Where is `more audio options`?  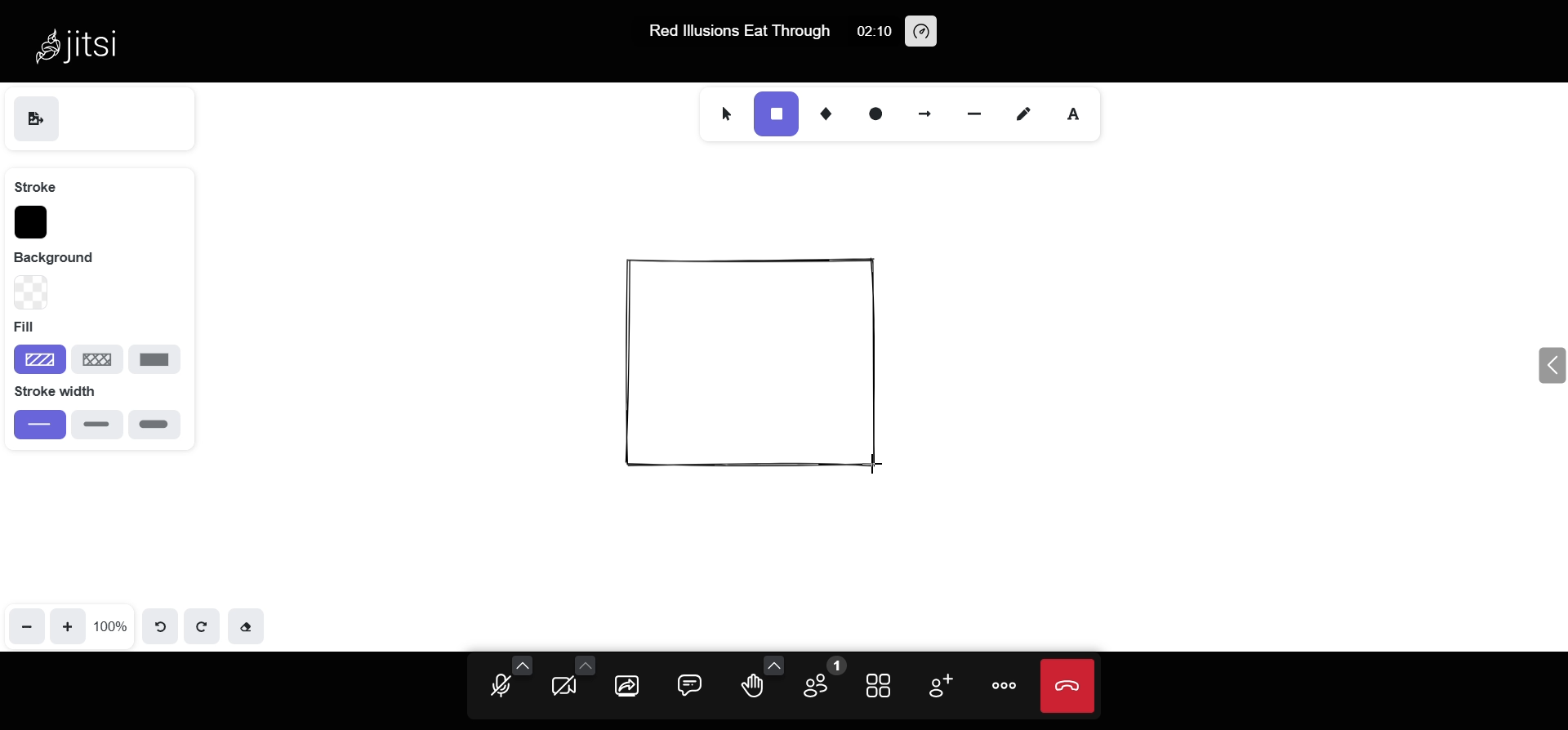
more audio options is located at coordinates (523, 665).